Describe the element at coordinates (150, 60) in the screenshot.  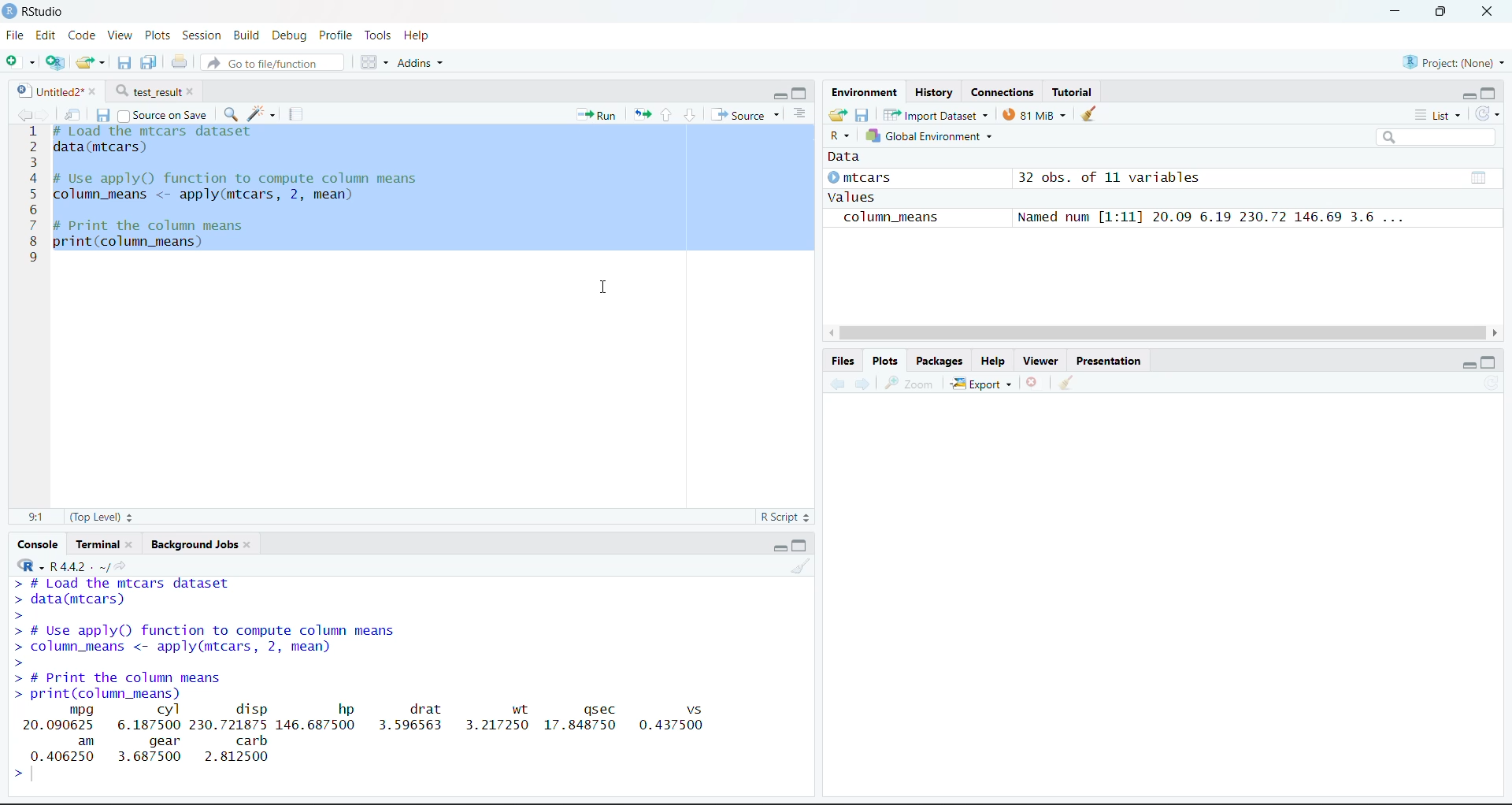
I see `Save current document (Ctrl + S)` at that location.